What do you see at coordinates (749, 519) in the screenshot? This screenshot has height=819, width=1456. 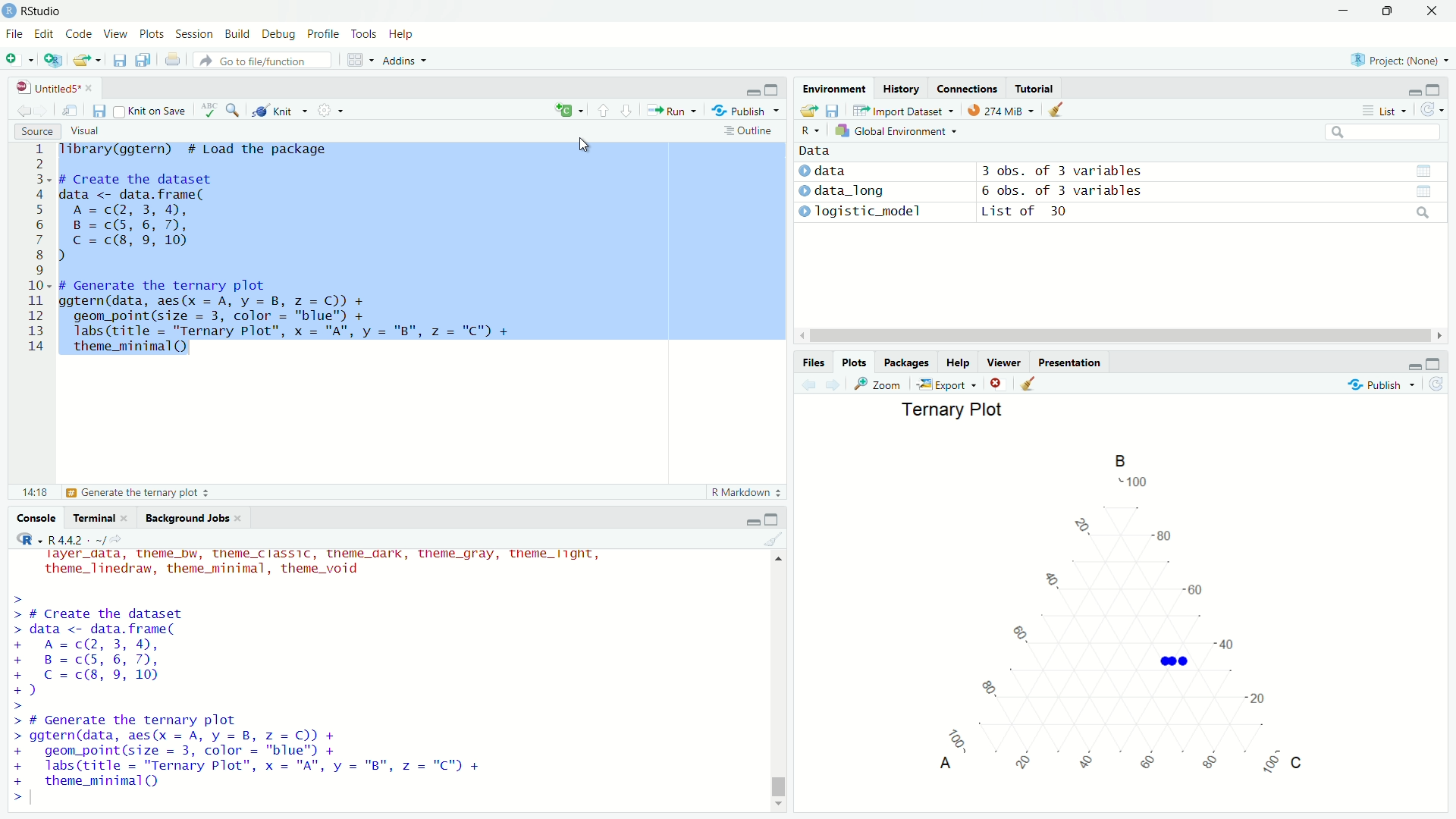 I see `minimise` at bounding box center [749, 519].